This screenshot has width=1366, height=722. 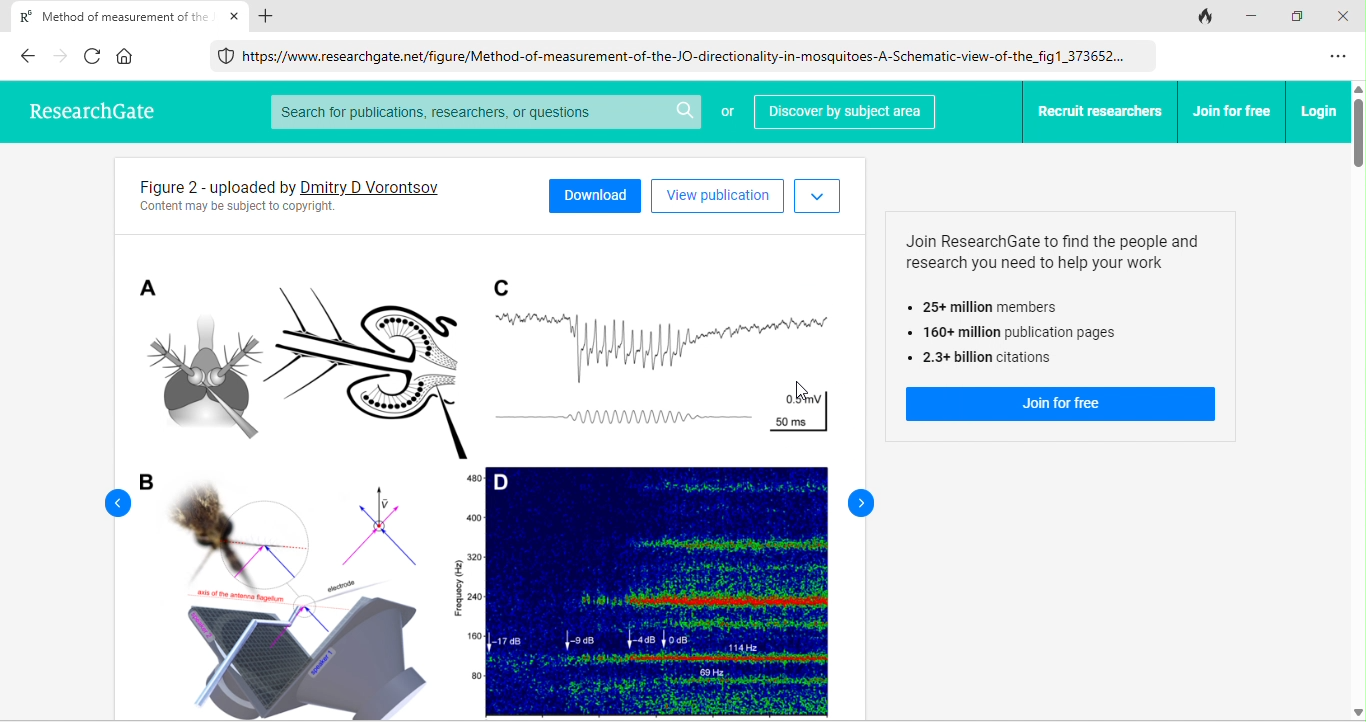 What do you see at coordinates (857, 502) in the screenshot?
I see `forward` at bounding box center [857, 502].